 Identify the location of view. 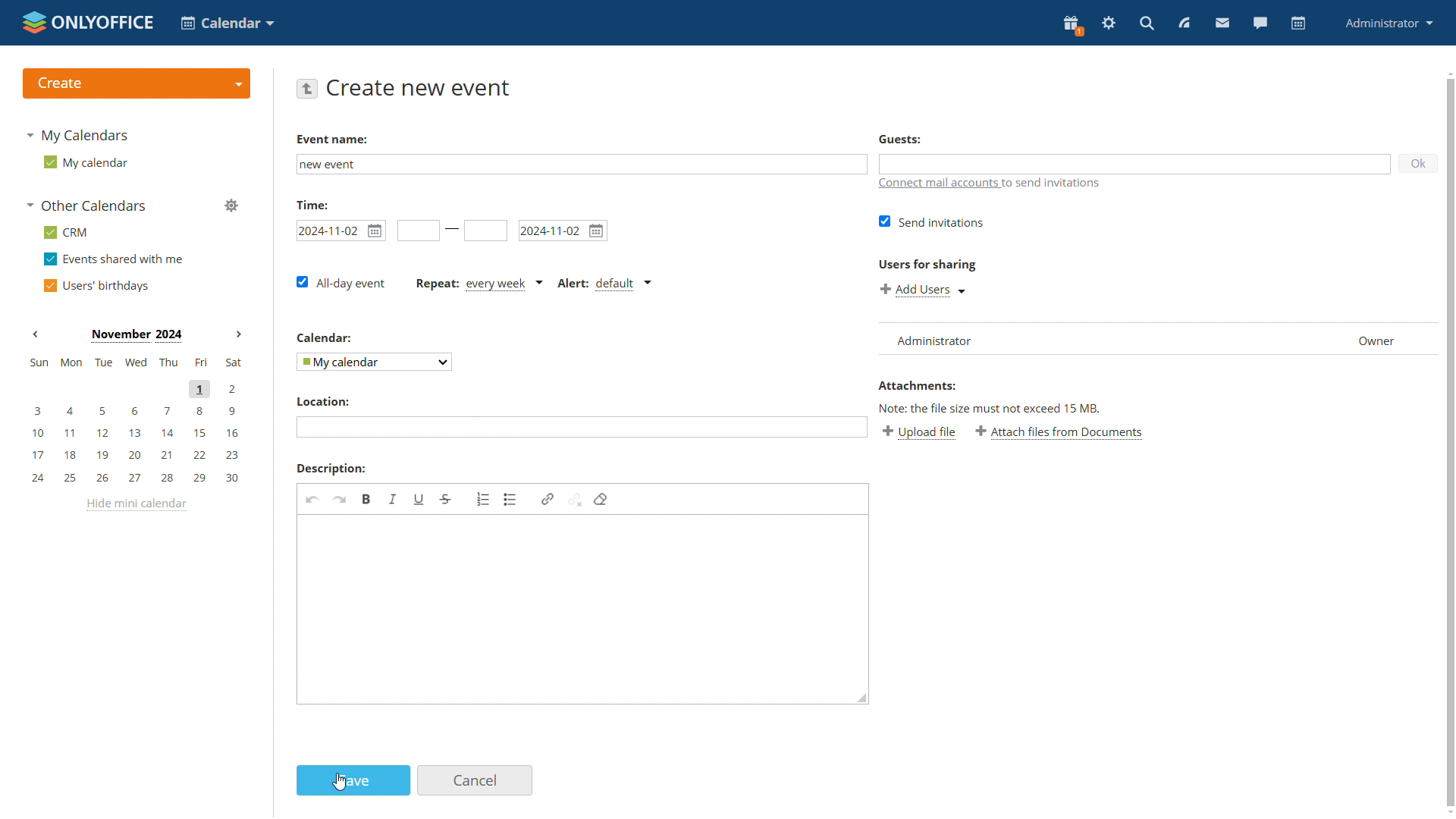
(1185, 23).